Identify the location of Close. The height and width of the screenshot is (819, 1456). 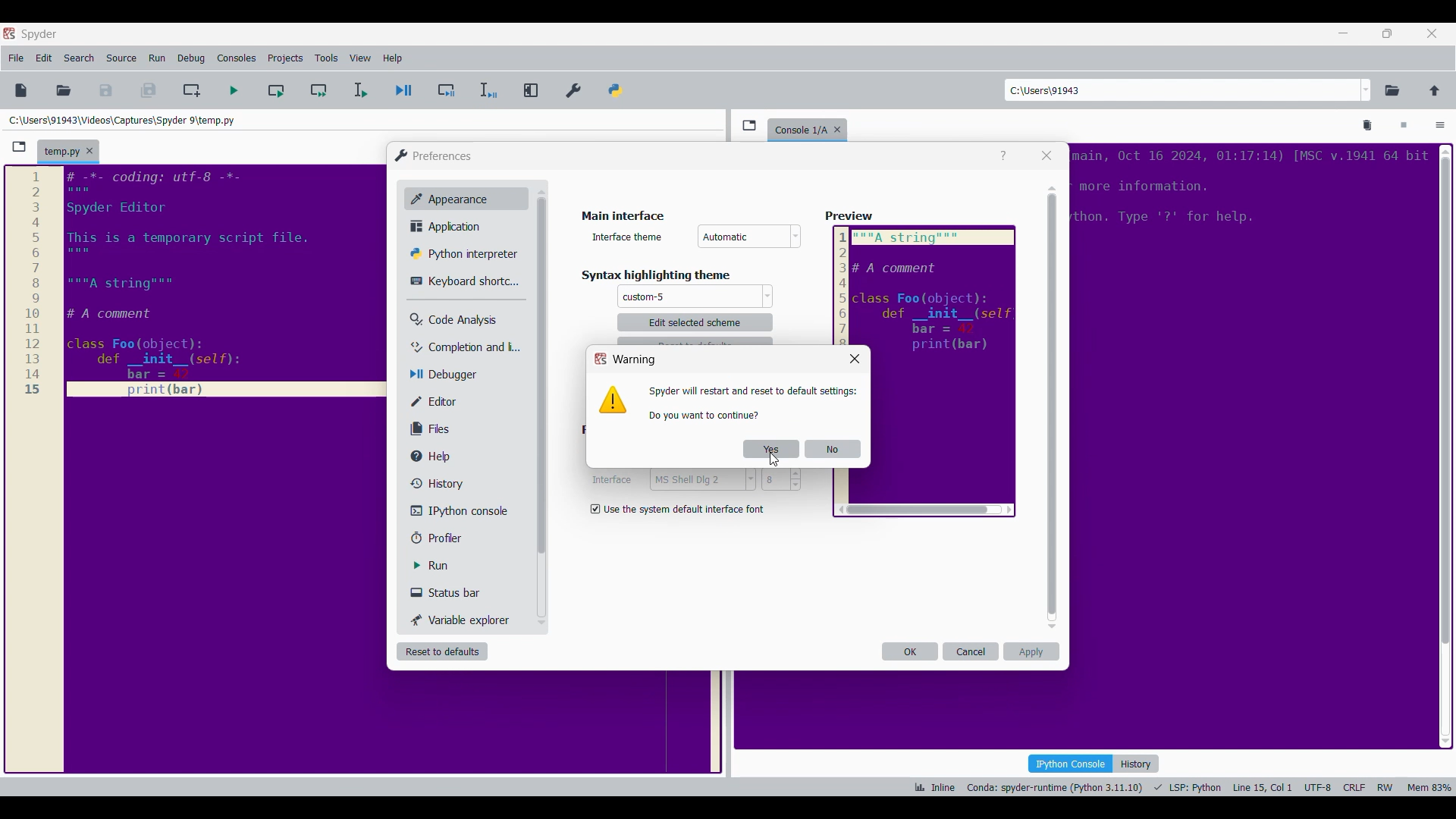
(855, 359).